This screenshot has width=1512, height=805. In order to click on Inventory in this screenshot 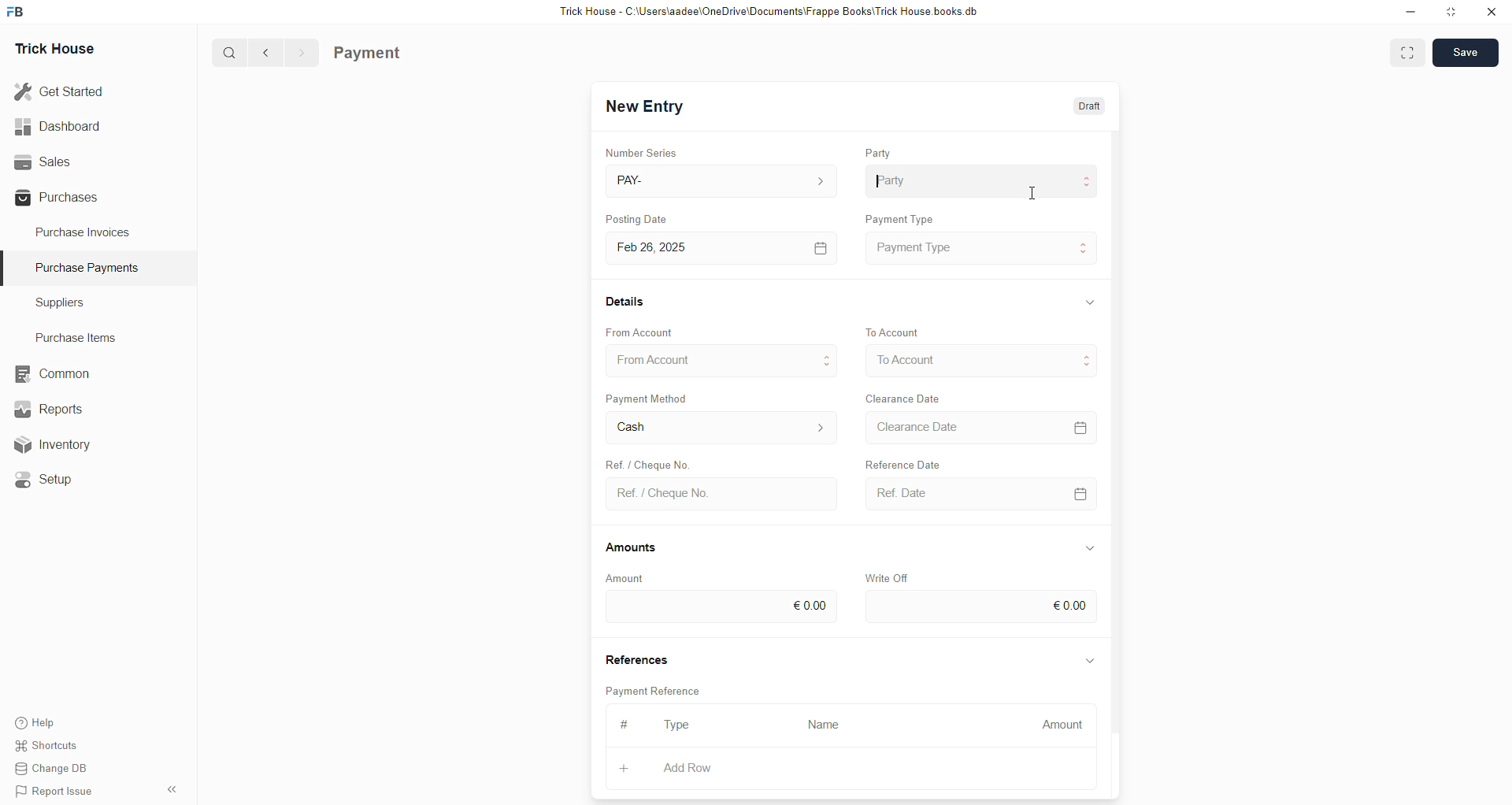, I will do `click(54, 443)`.